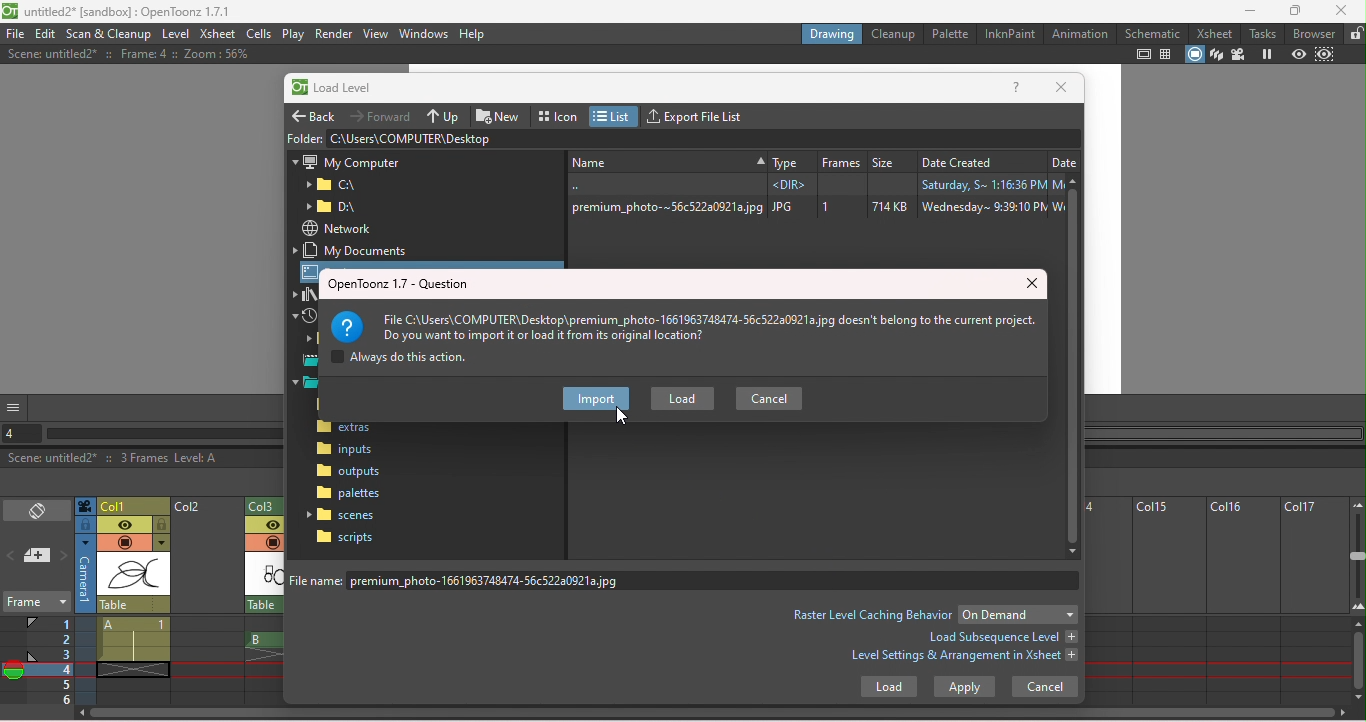 The height and width of the screenshot is (722, 1366). I want to click on Camera stand view, so click(1196, 55).